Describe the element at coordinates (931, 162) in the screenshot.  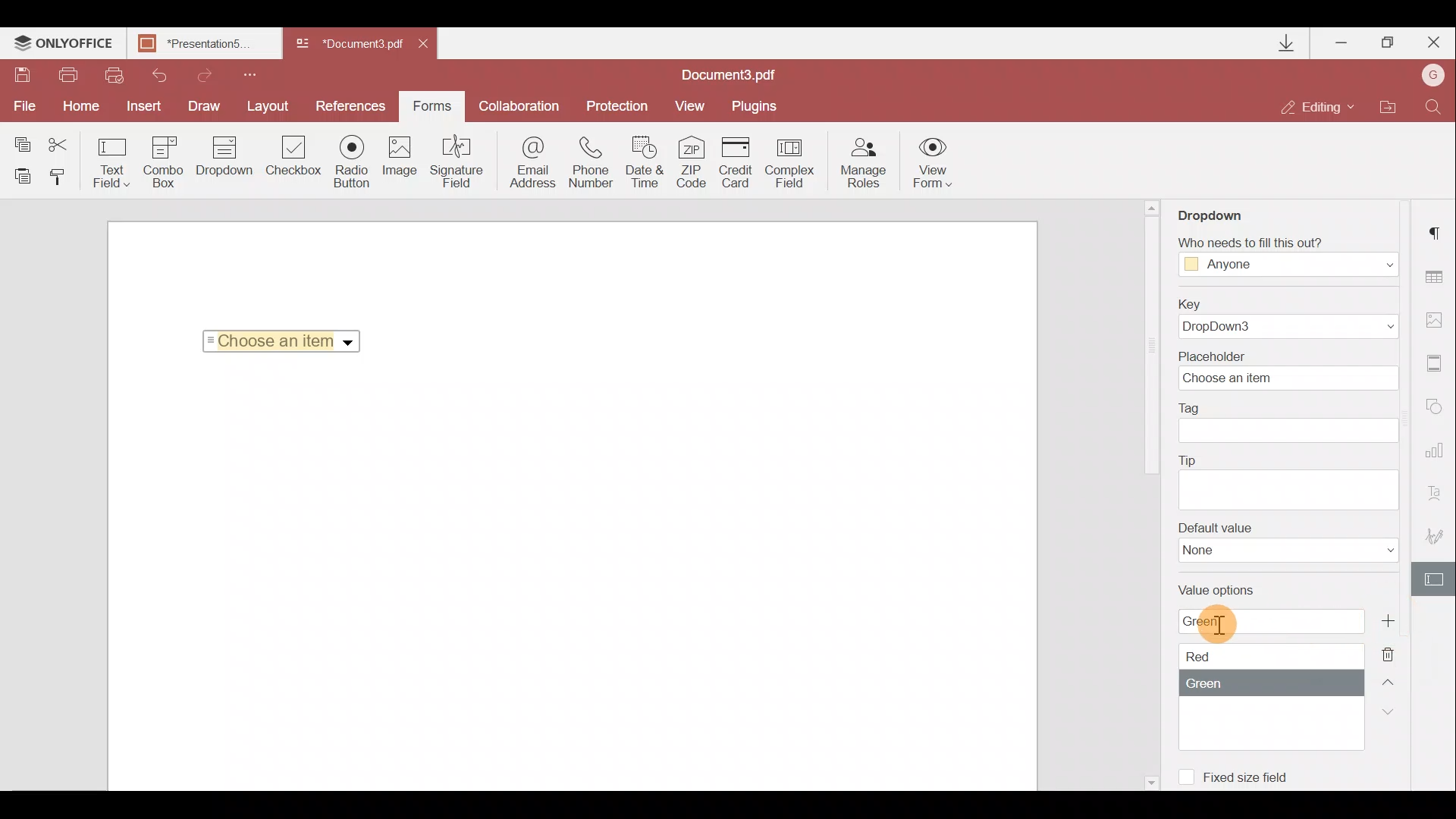
I see `View form` at that location.